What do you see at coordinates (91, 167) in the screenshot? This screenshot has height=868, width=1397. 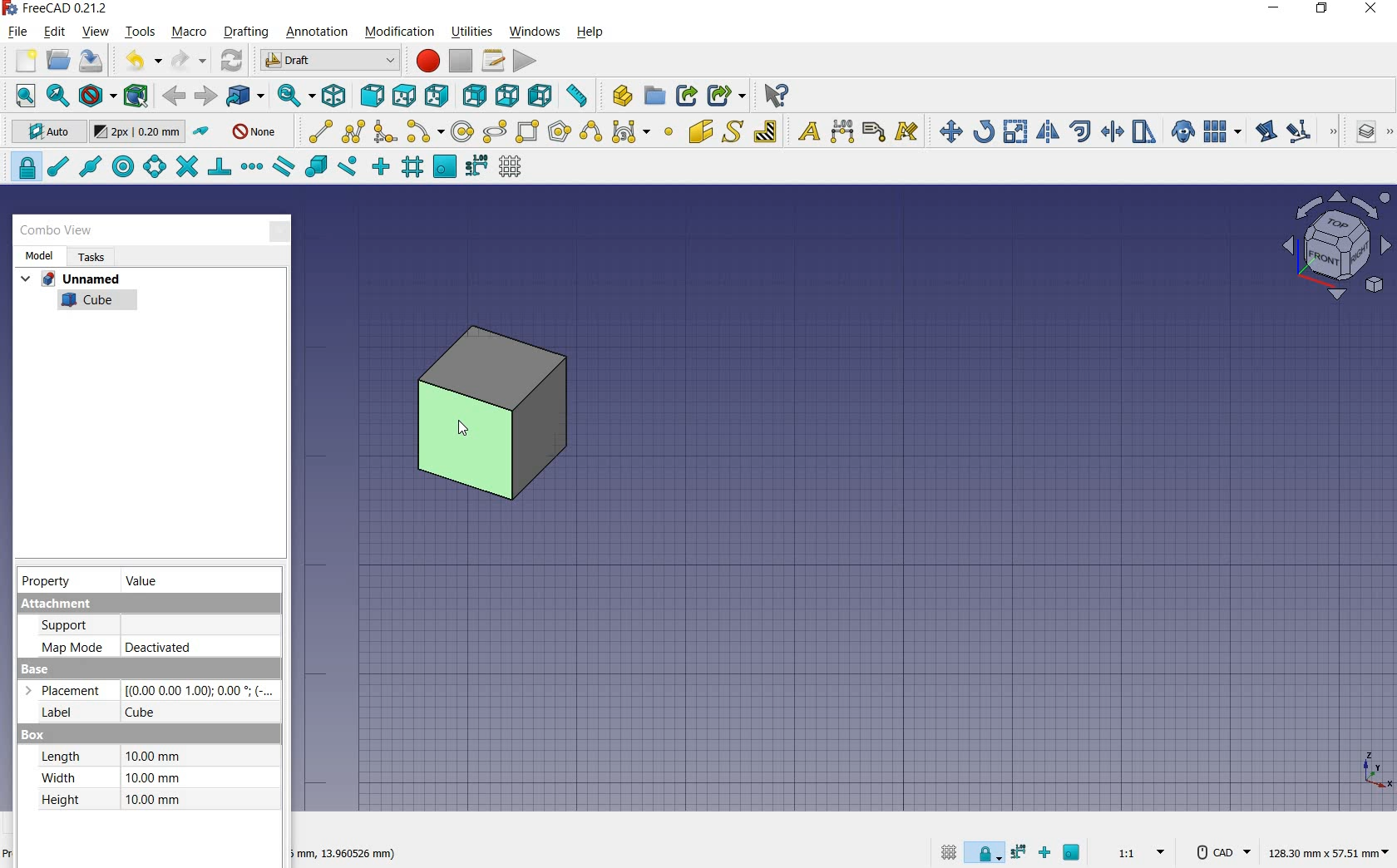 I see `snap midpoint` at bounding box center [91, 167].